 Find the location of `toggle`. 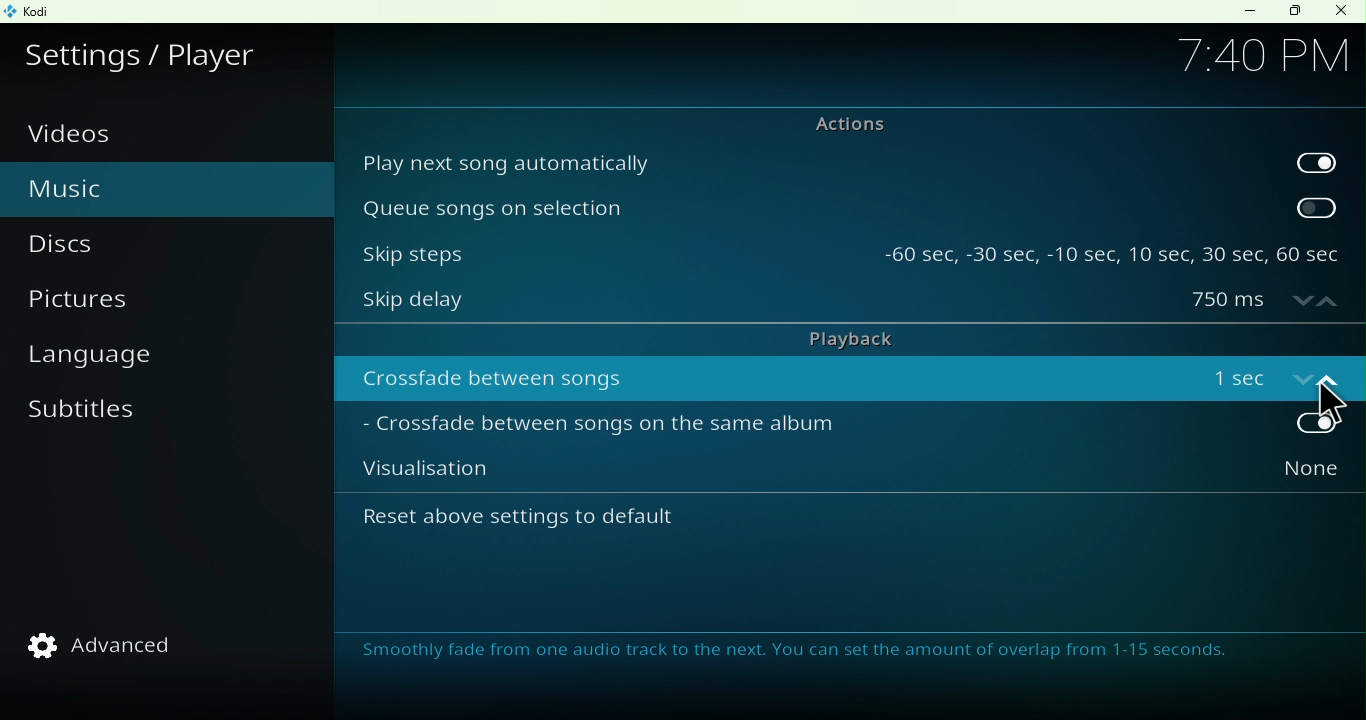

toggle is located at coordinates (1316, 160).